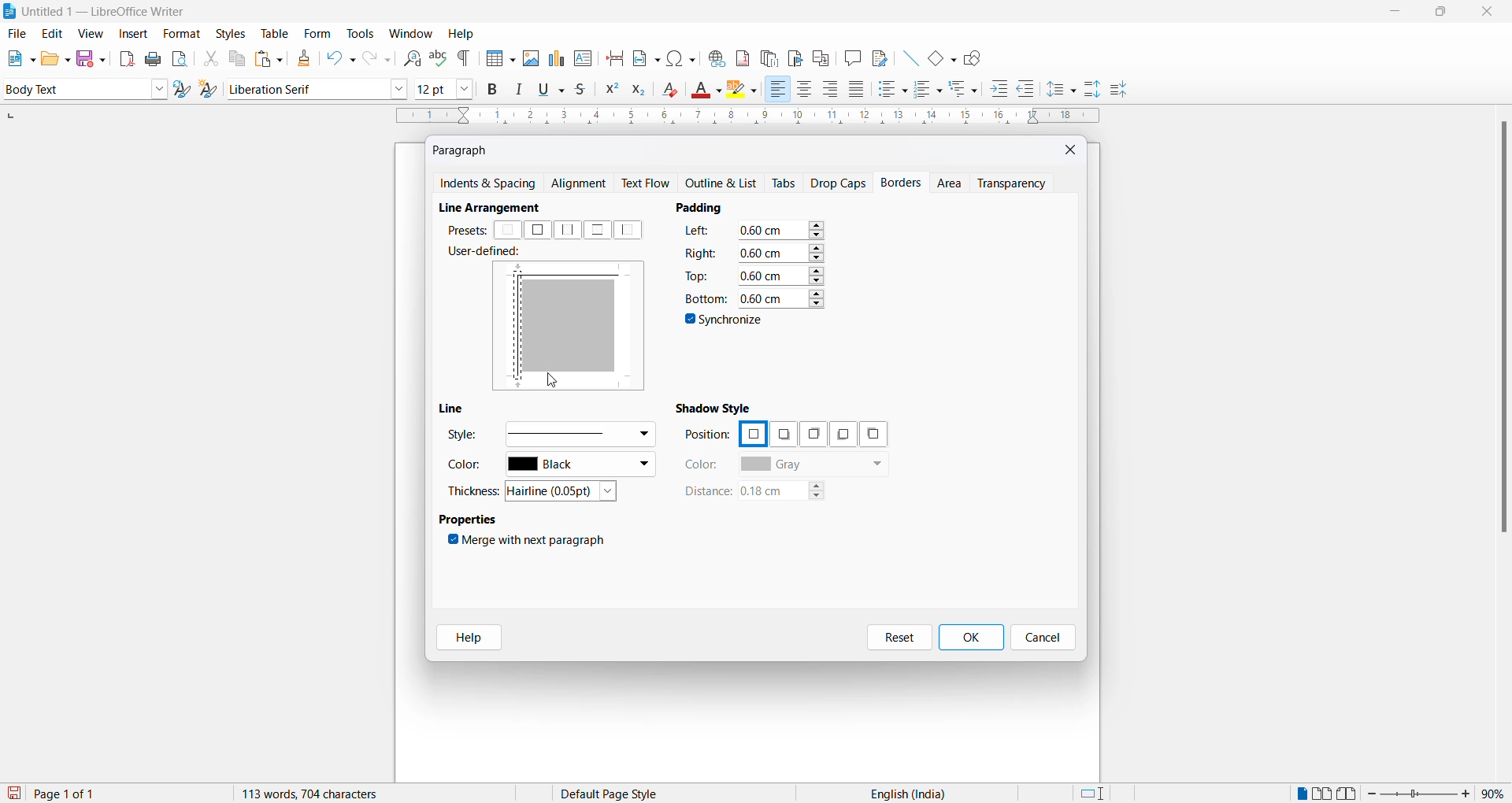 The width and height of the screenshot is (1512, 803). What do you see at coordinates (766, 56) in the screenshot?
I see `insert endnote` at bounding box center [766, 56].